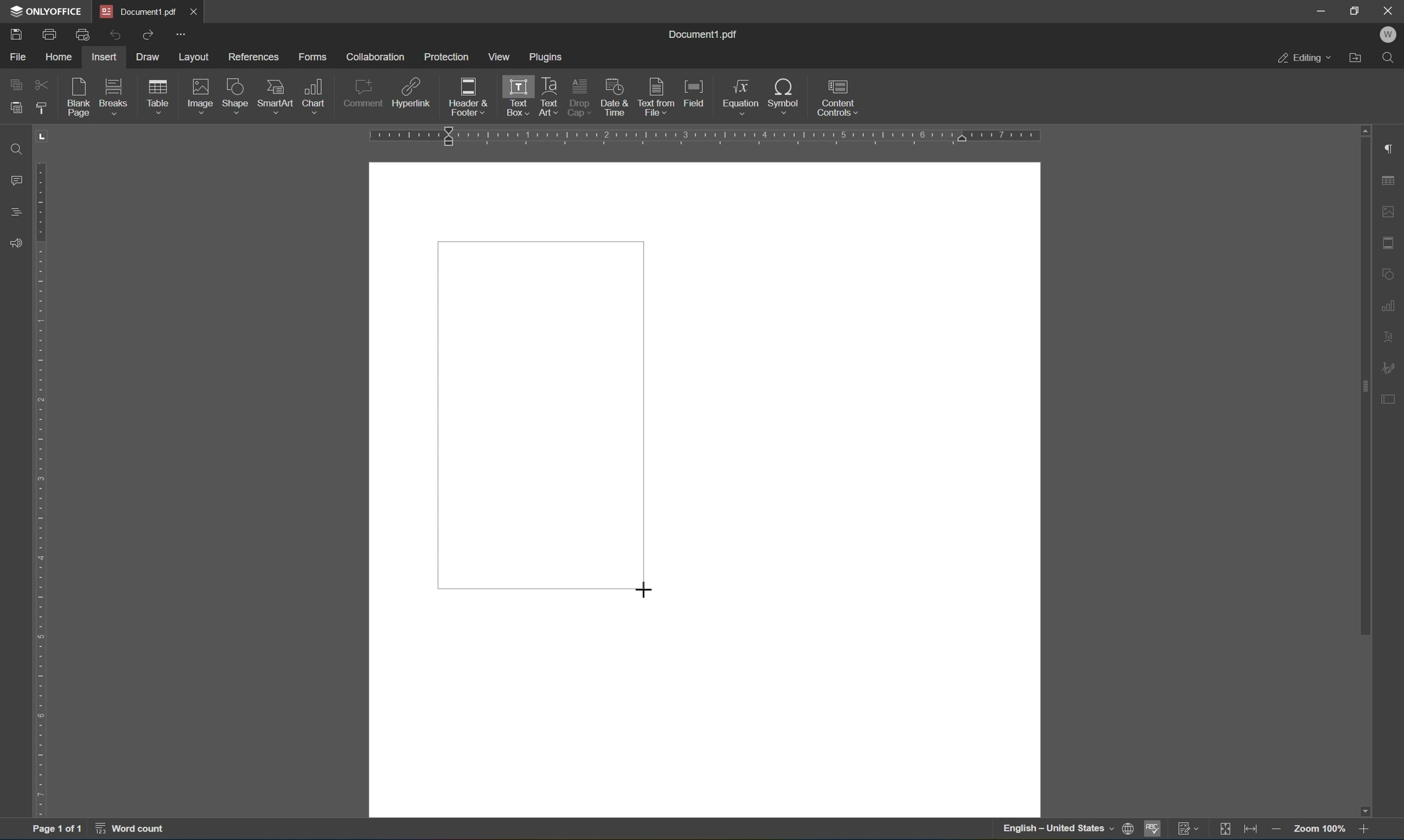 The image size is (1404, 840). What do you see at coordinates (18, 150) in the screenshot?
I see `Find` at bounding box center [18, 150].